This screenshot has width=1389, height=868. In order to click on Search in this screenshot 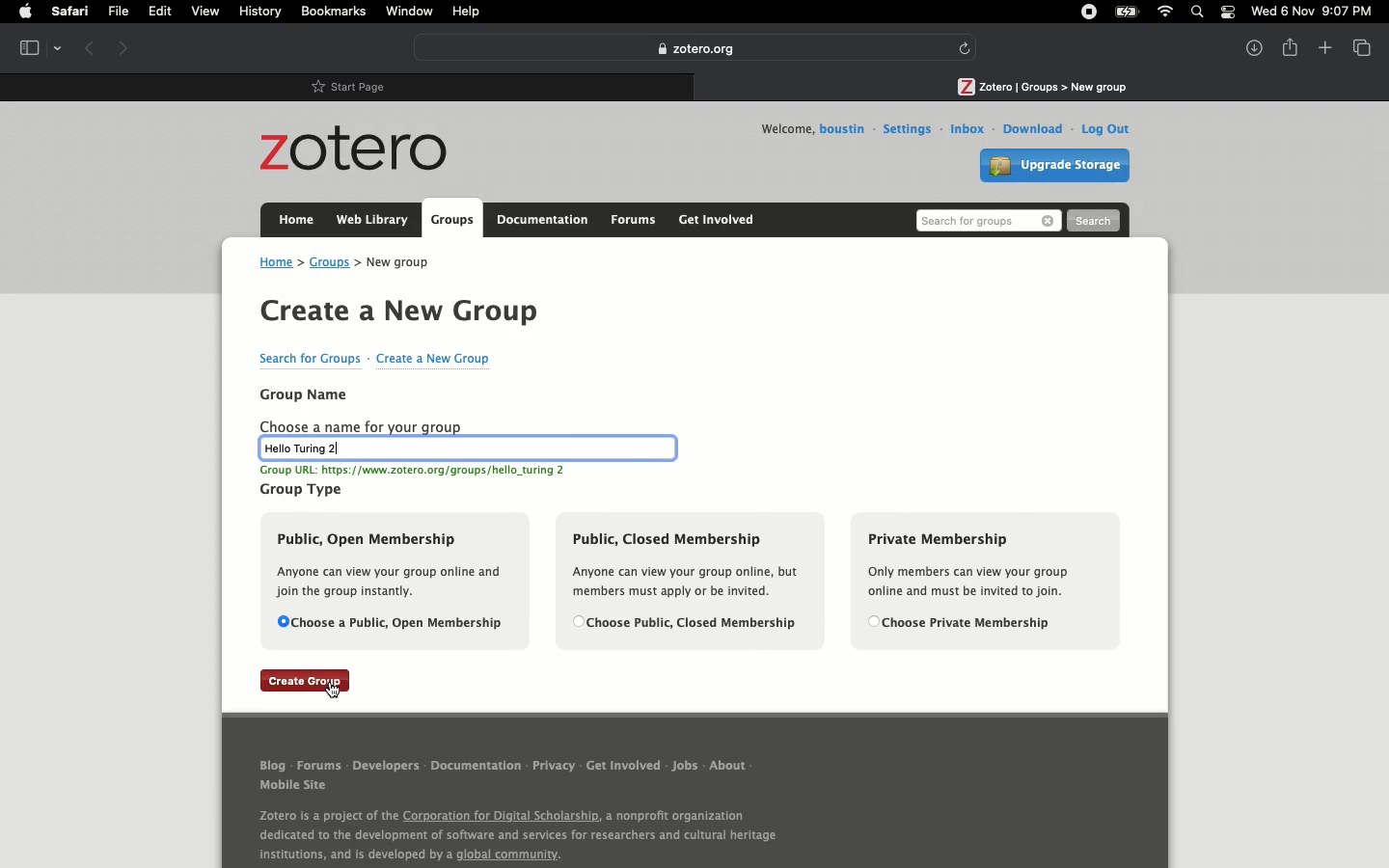, I will do `click(988, 220)`.